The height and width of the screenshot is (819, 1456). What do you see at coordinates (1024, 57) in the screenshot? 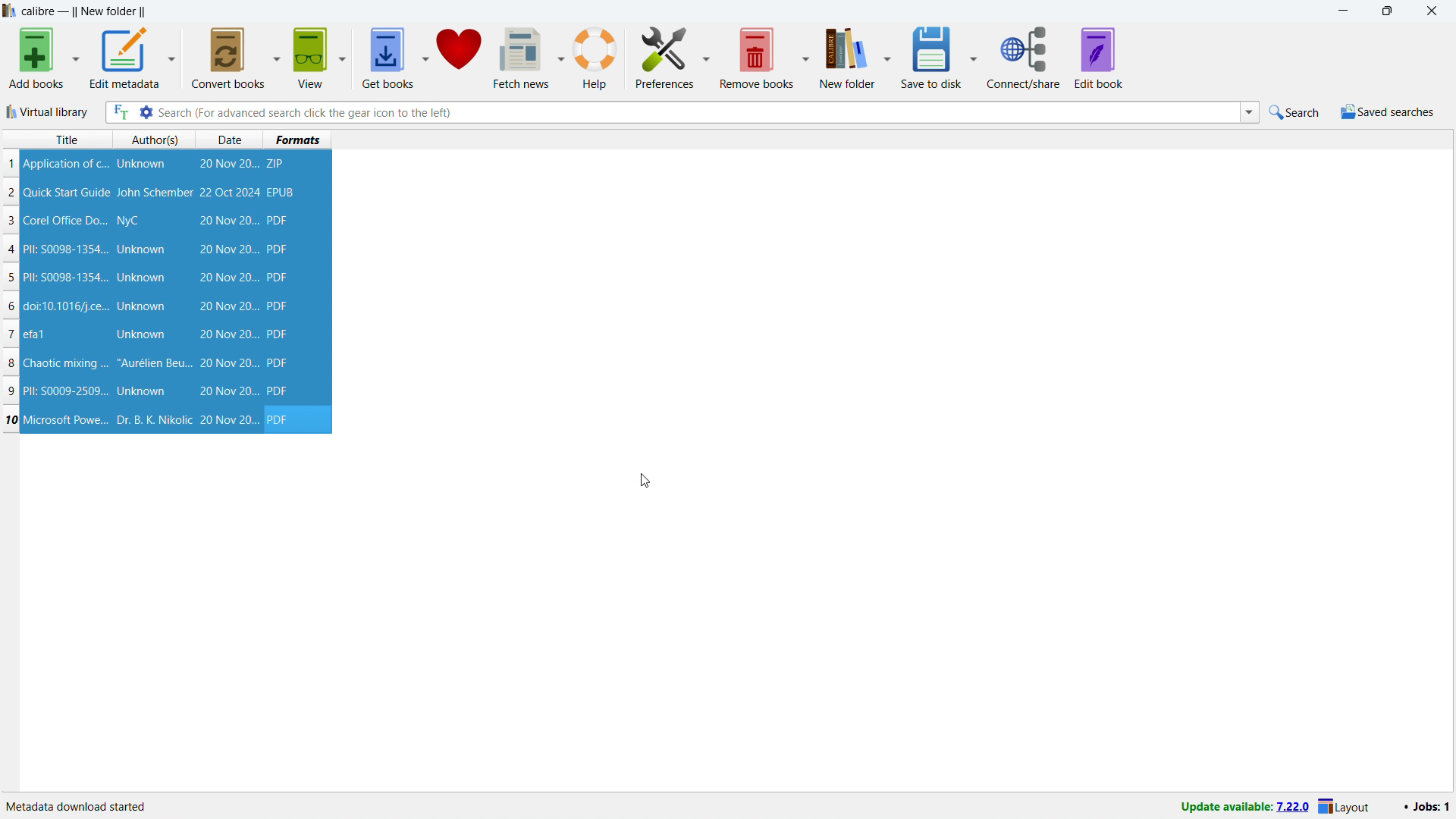
I see `connect/share` at bounding box center [1024, 57].